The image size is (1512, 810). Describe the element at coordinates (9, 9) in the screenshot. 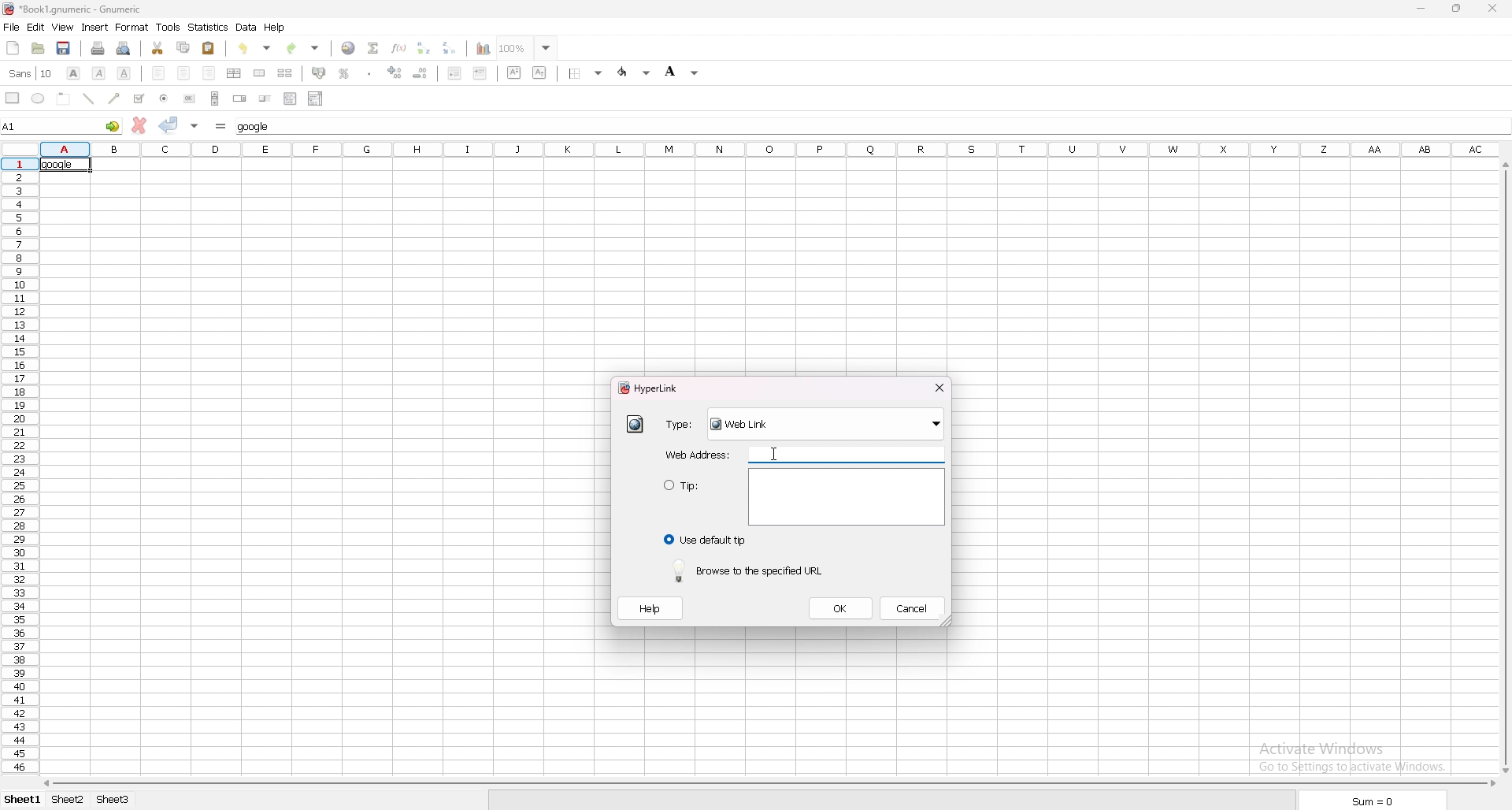

I see `Hyperlink logo` at that location.